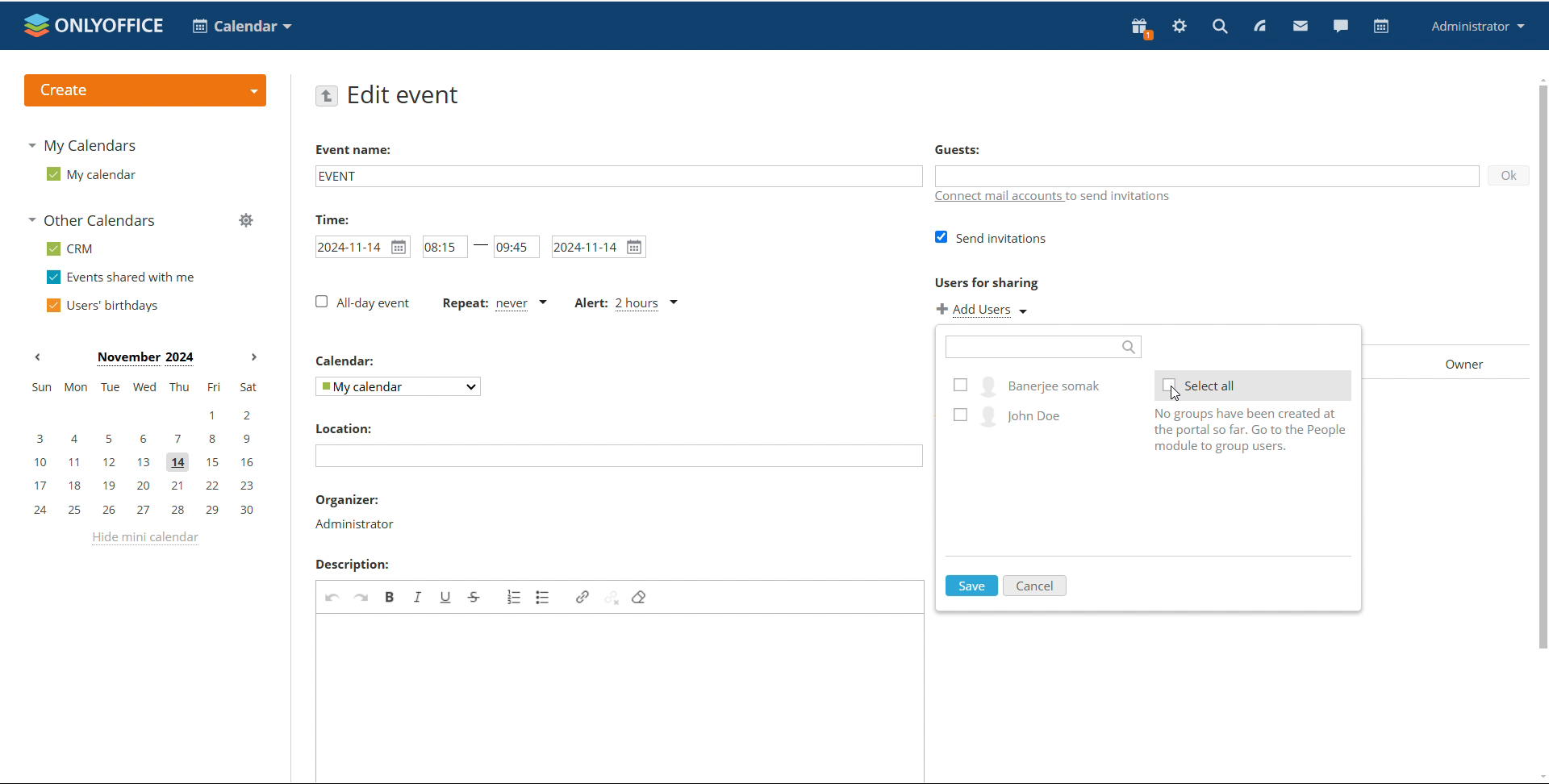  Describe the element at coordinates (639, 598) in the screenshot. I see `remove format` at that location.